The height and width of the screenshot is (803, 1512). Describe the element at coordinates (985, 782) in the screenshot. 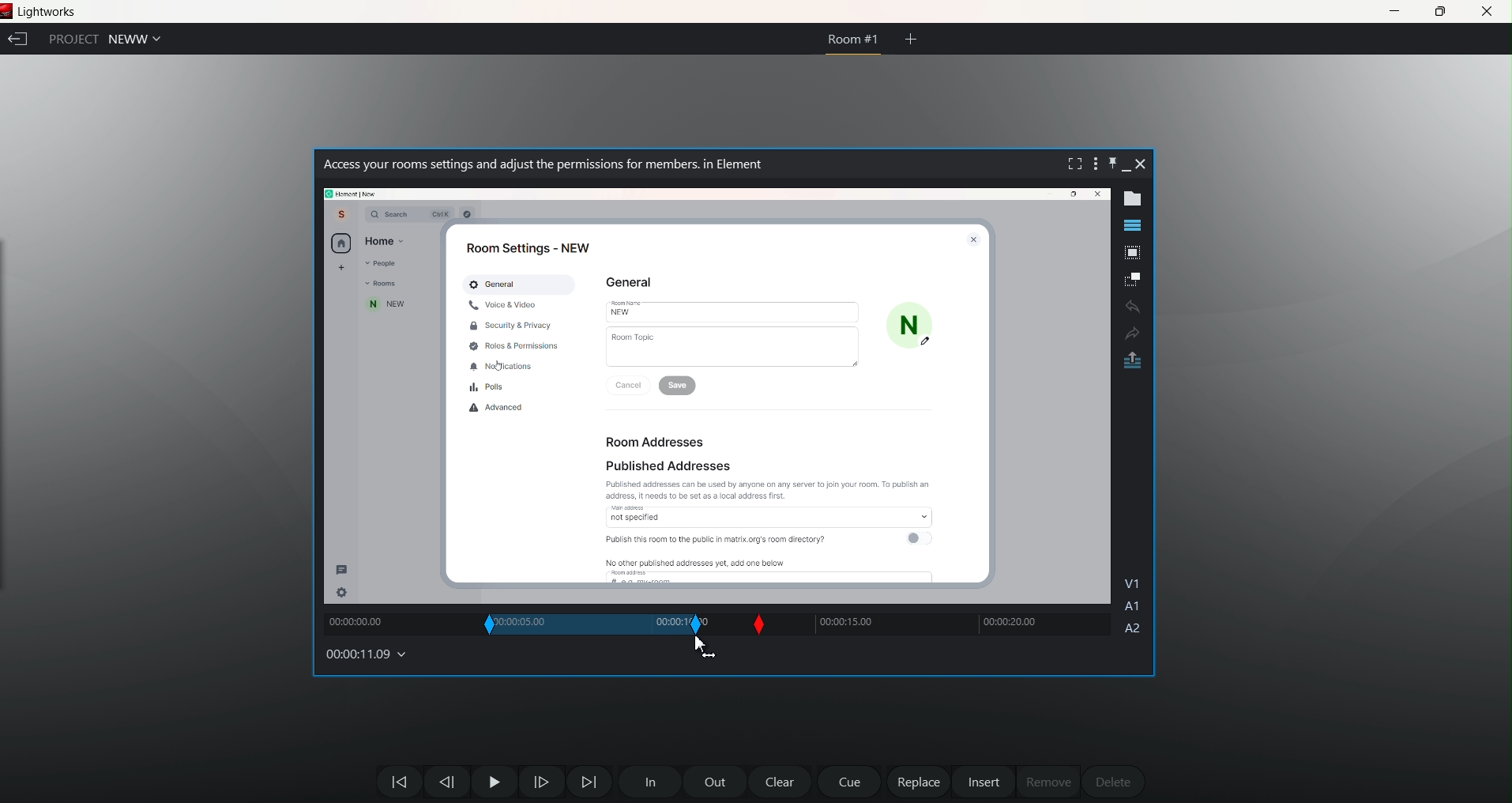

I see `insert` at that location.